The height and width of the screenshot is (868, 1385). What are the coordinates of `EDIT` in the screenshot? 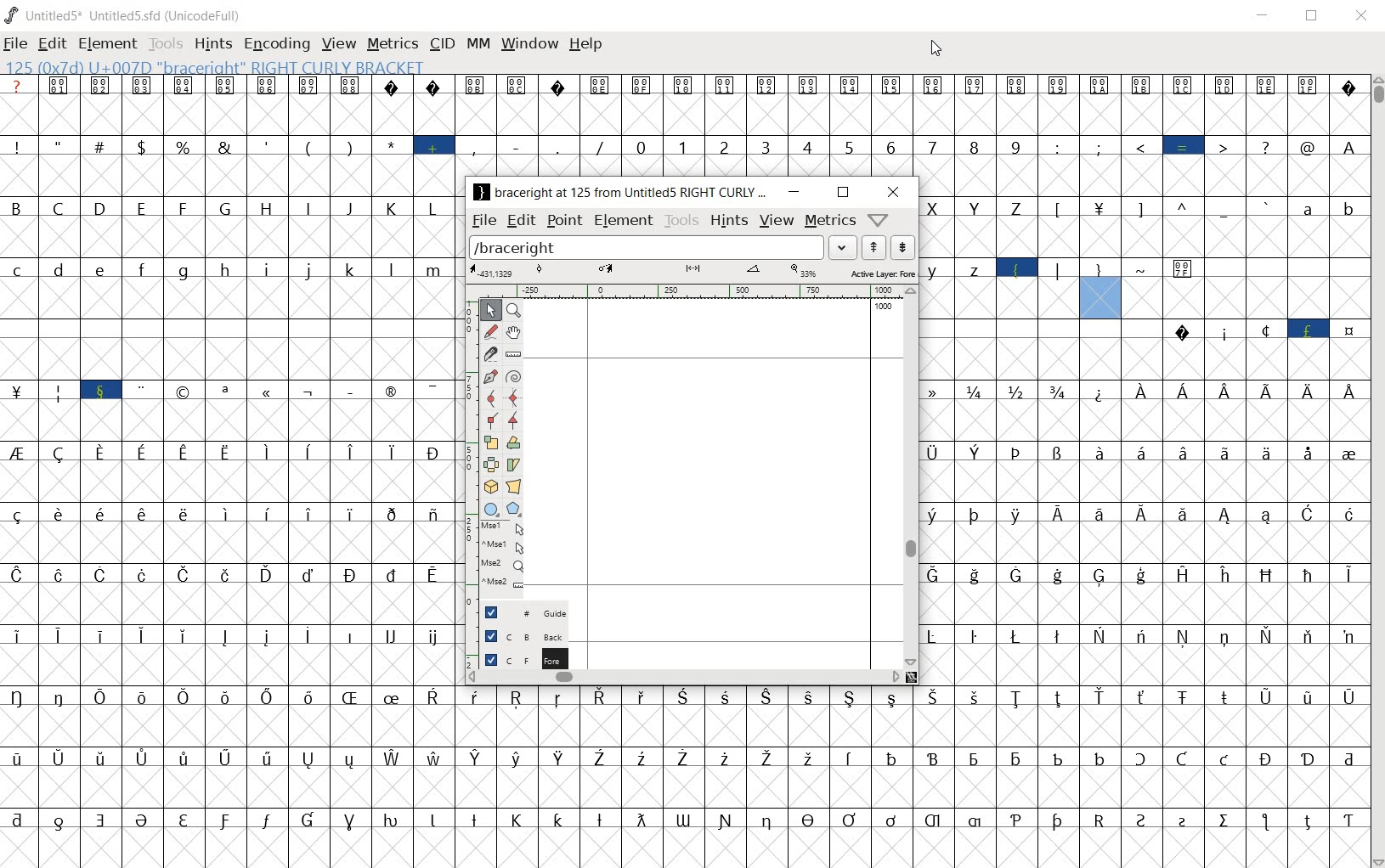 It's located at (52, 45).